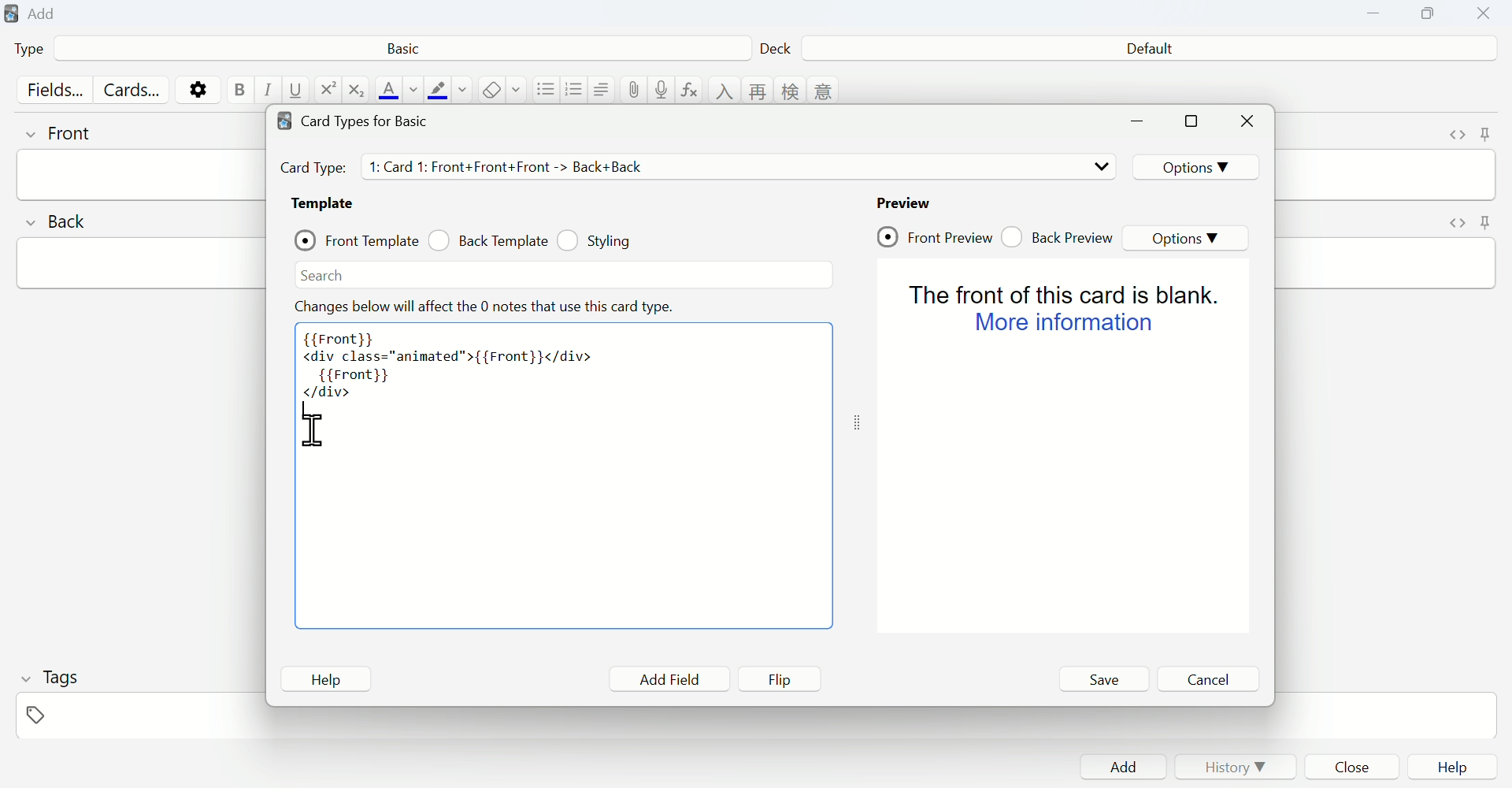  I want to click on Help, so click(328, 679).